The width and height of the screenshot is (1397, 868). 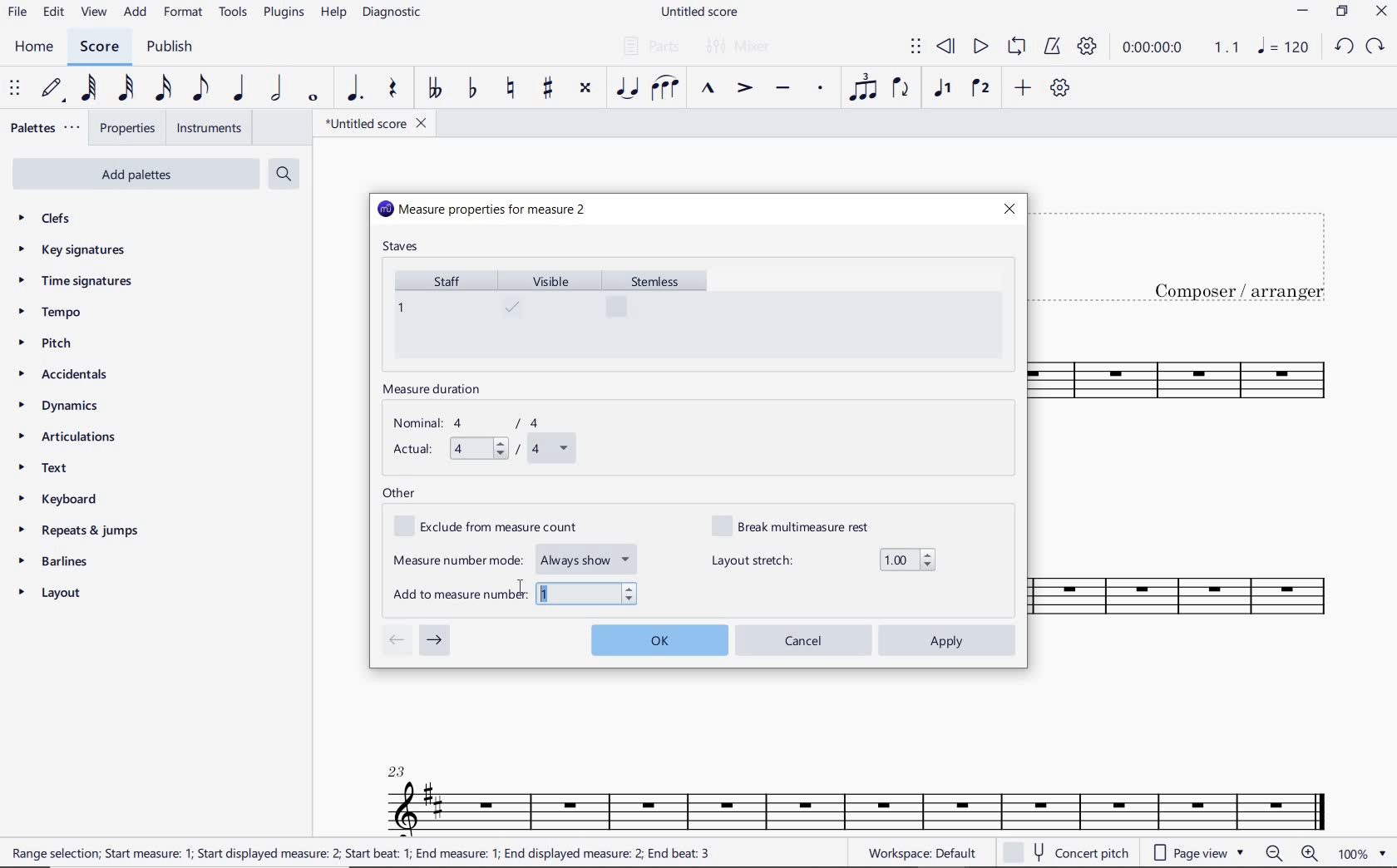 What do you see at coordinates (170, 48) in the screenshot?
I see `PUBLISH` at bounding box center [170, 48].